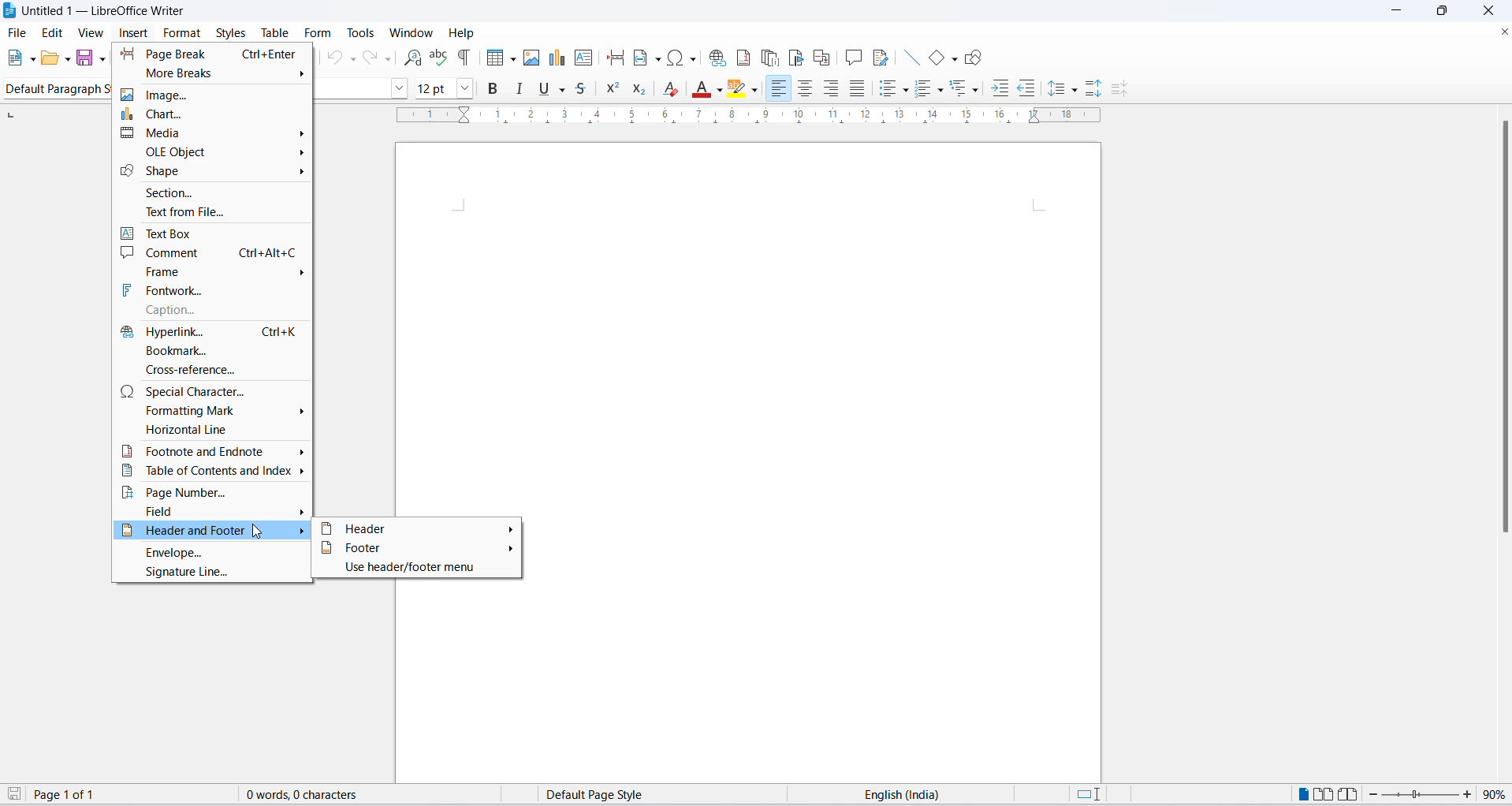 This screenshot has height=806, width=1512. I want to click on insert image, so click(533, 59).